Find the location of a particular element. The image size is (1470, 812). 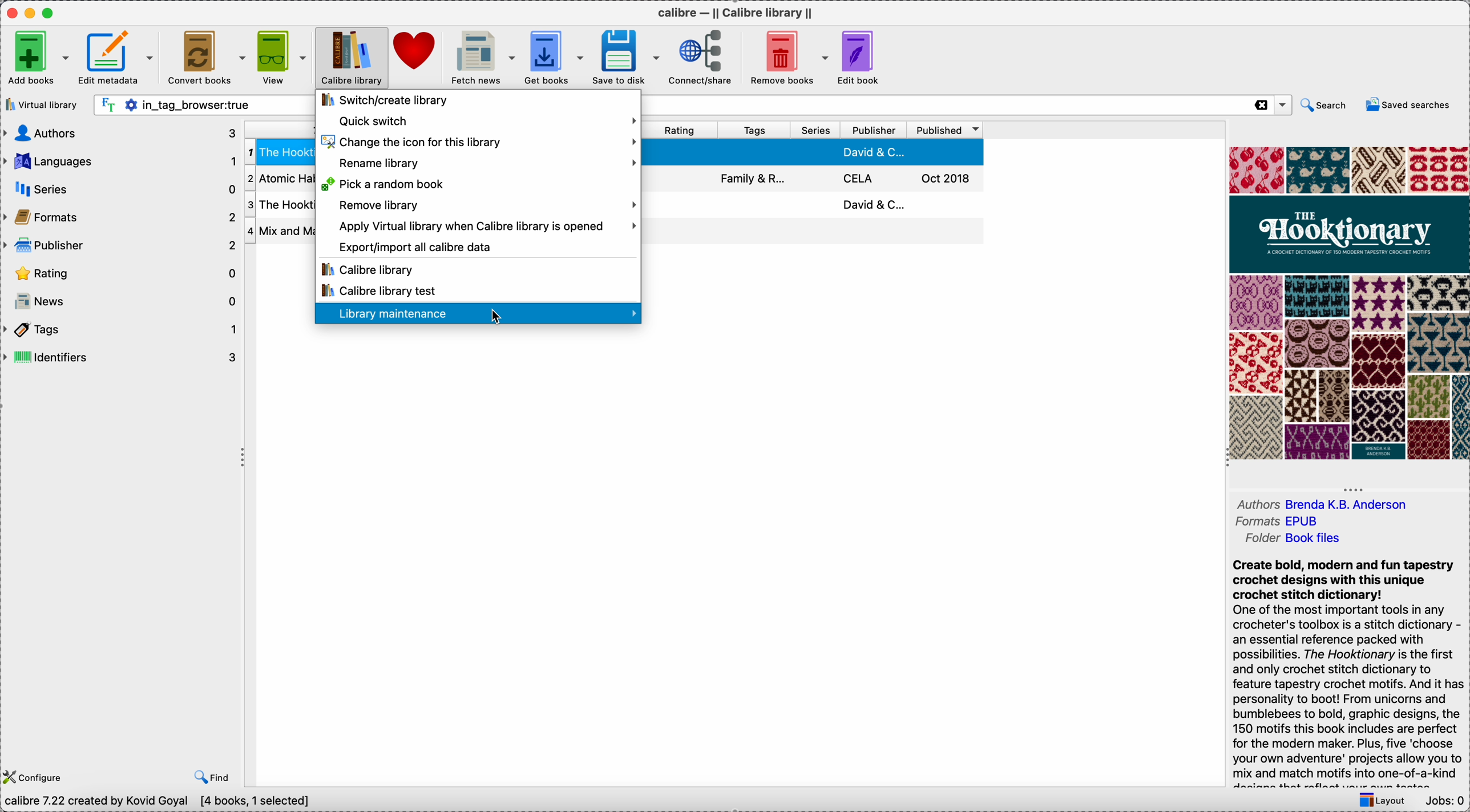

find is located at coordinates (208, 778).